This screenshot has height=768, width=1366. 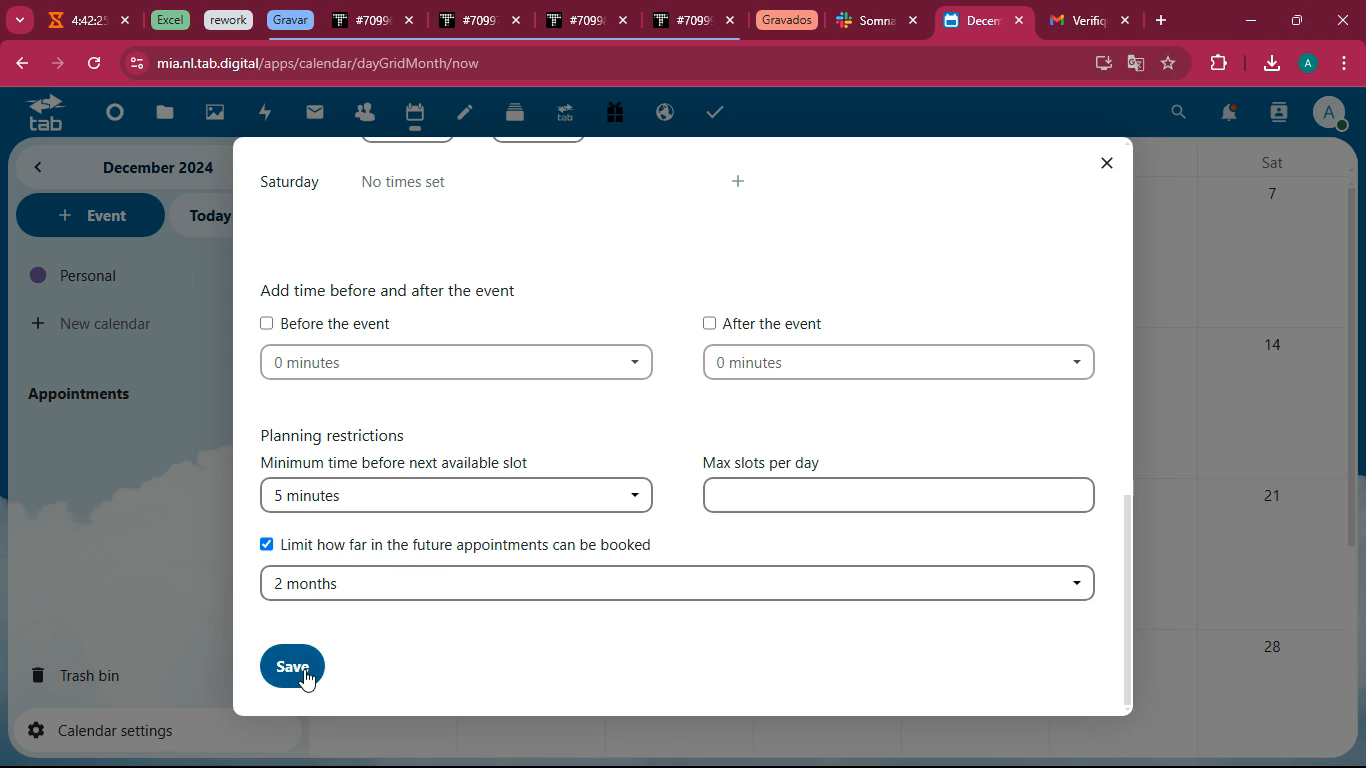 What do you see at coordinates (455, 497) in the screenshot?
I see `5 minutes` at bounding box center [455, 497].